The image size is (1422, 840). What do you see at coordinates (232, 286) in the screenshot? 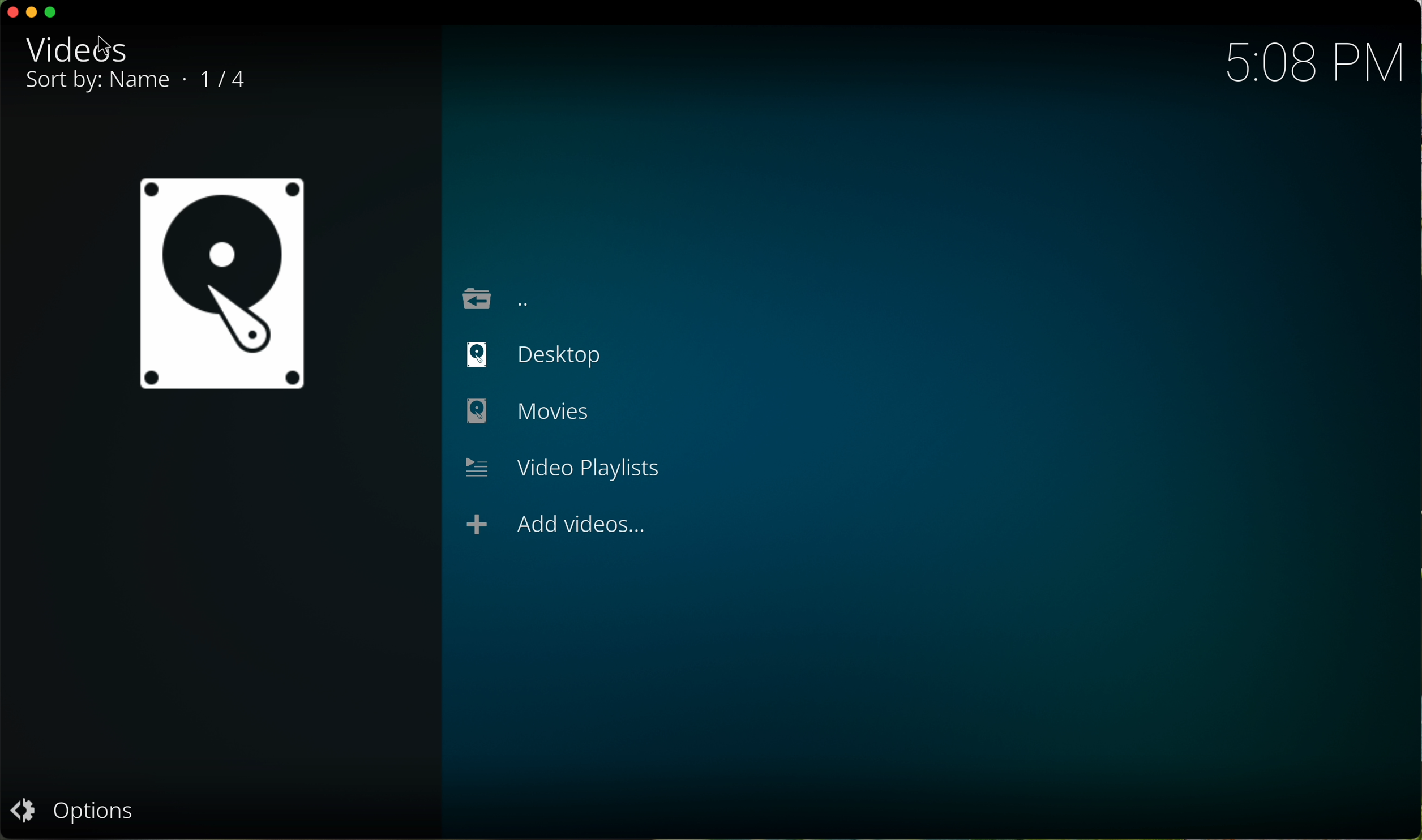
I see `icon` at bounding box center [232, 286].